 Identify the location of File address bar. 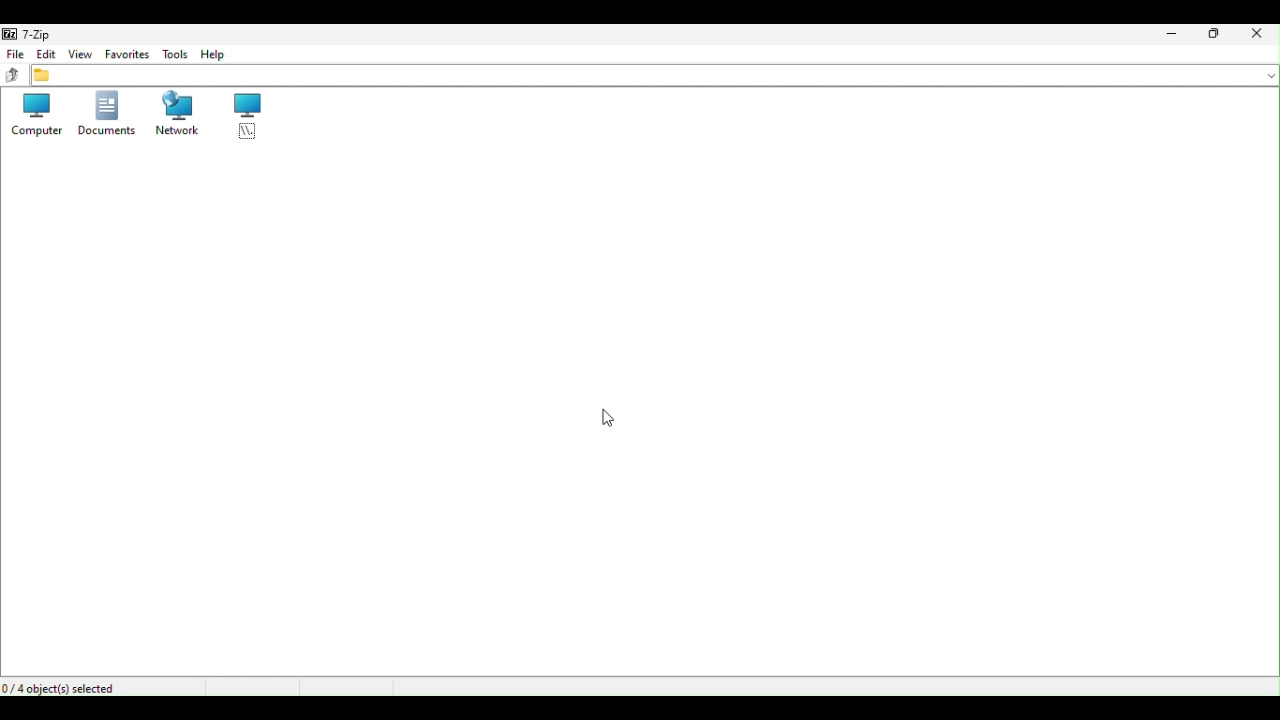
(657, 76).